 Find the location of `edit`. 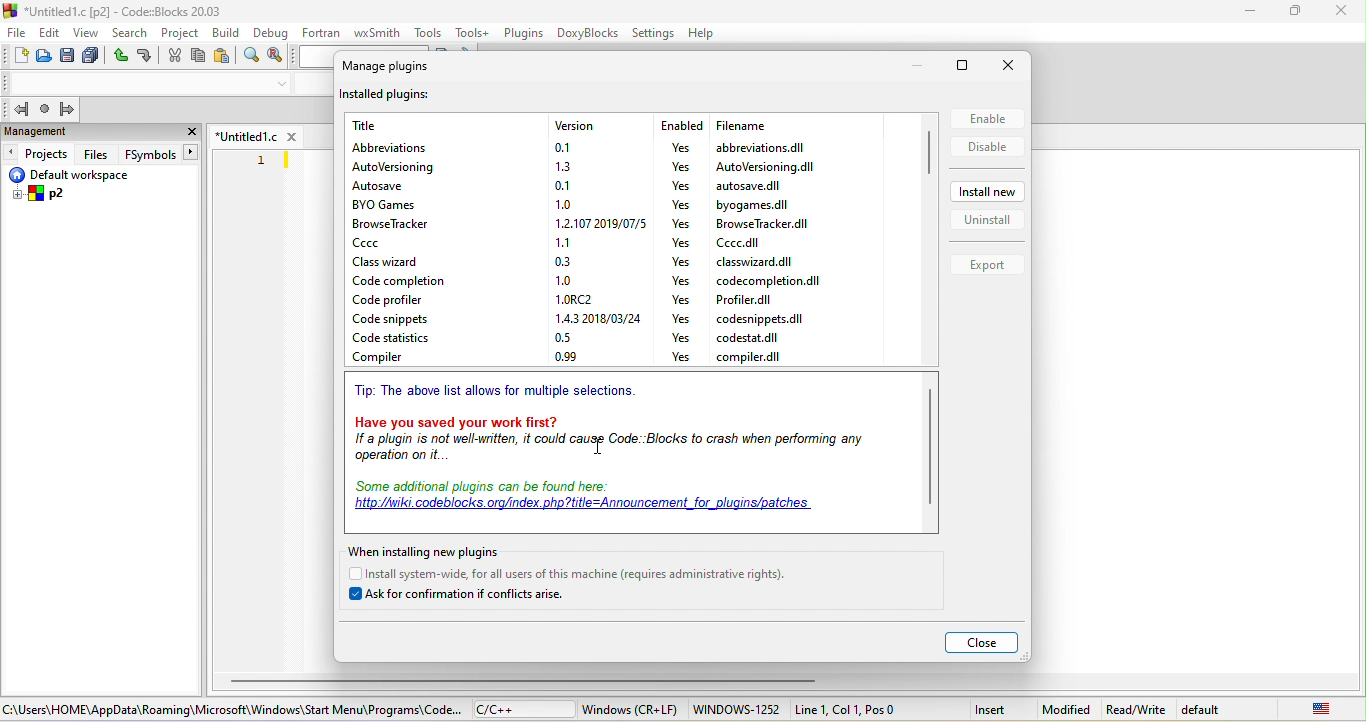

edit is located at coordinates (49, 34).